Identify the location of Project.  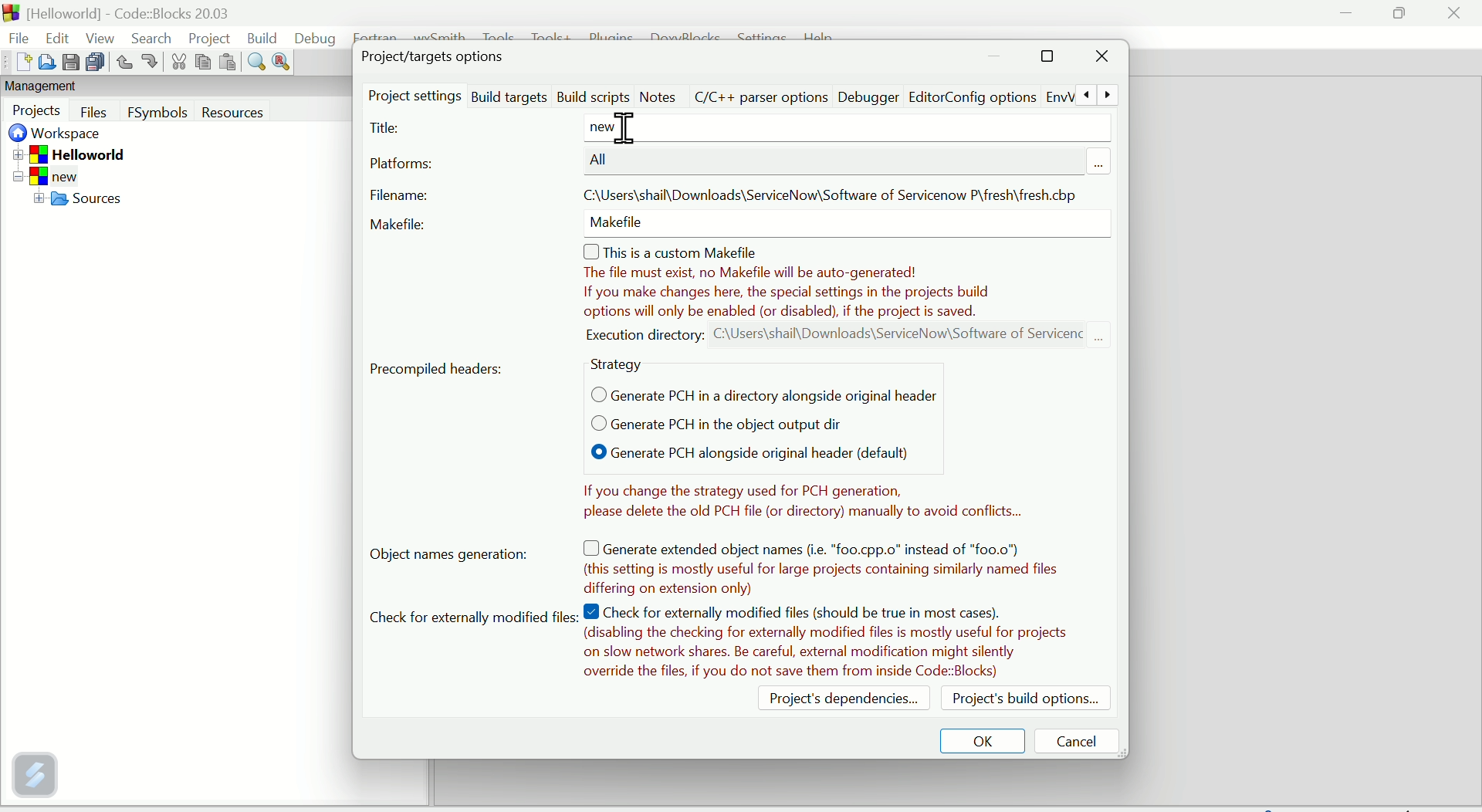
(209, 39).